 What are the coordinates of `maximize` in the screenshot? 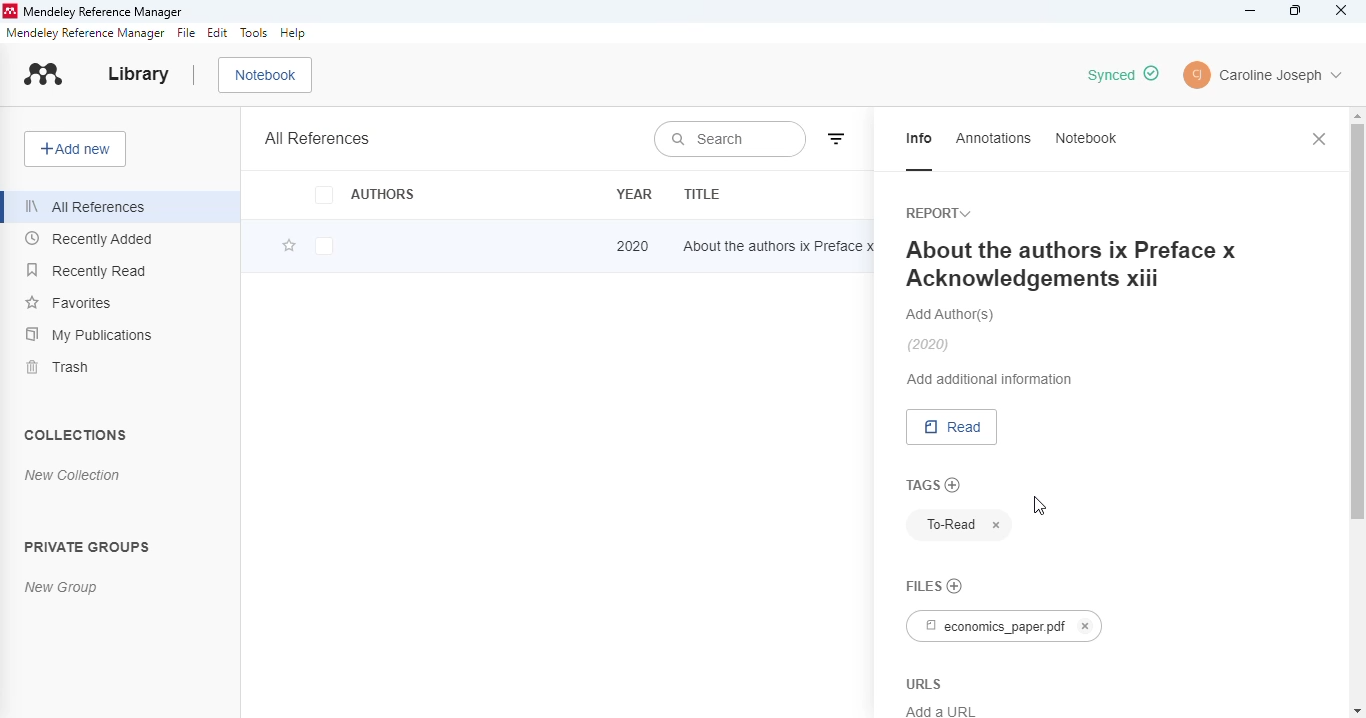 It's located at (1297, 11).